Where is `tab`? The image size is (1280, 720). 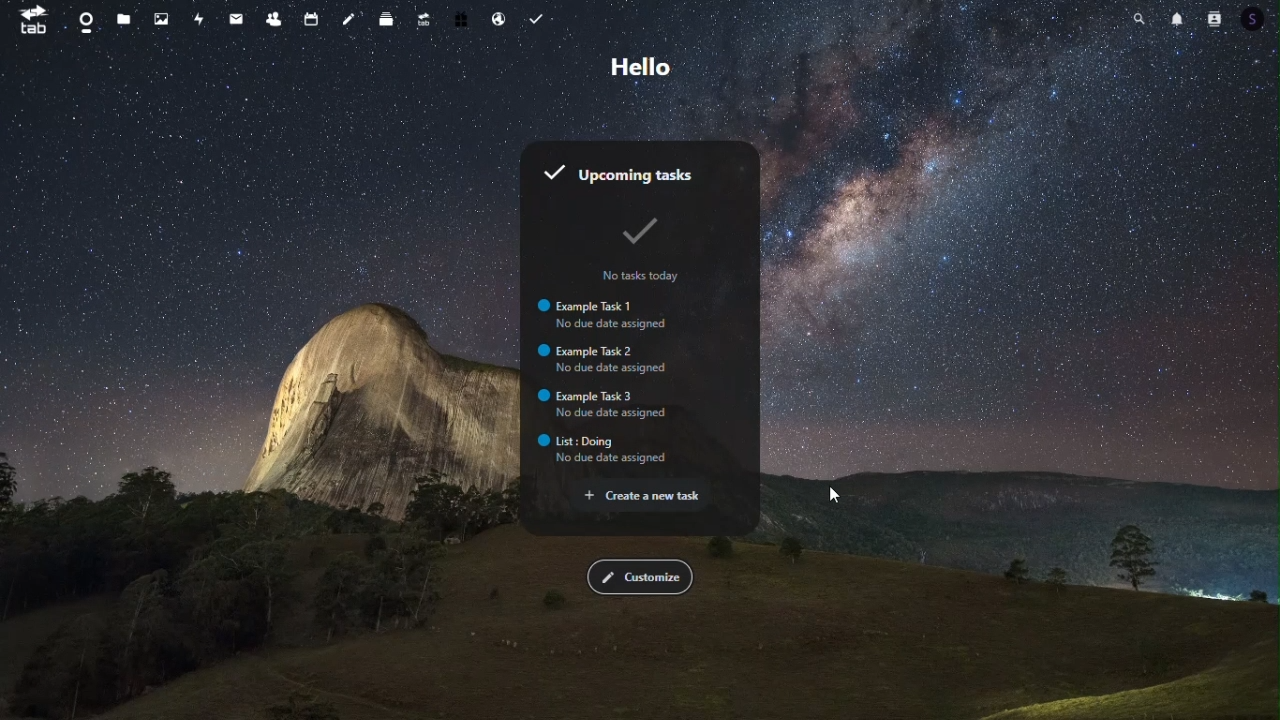 tab is located at coordinates (31, 24).